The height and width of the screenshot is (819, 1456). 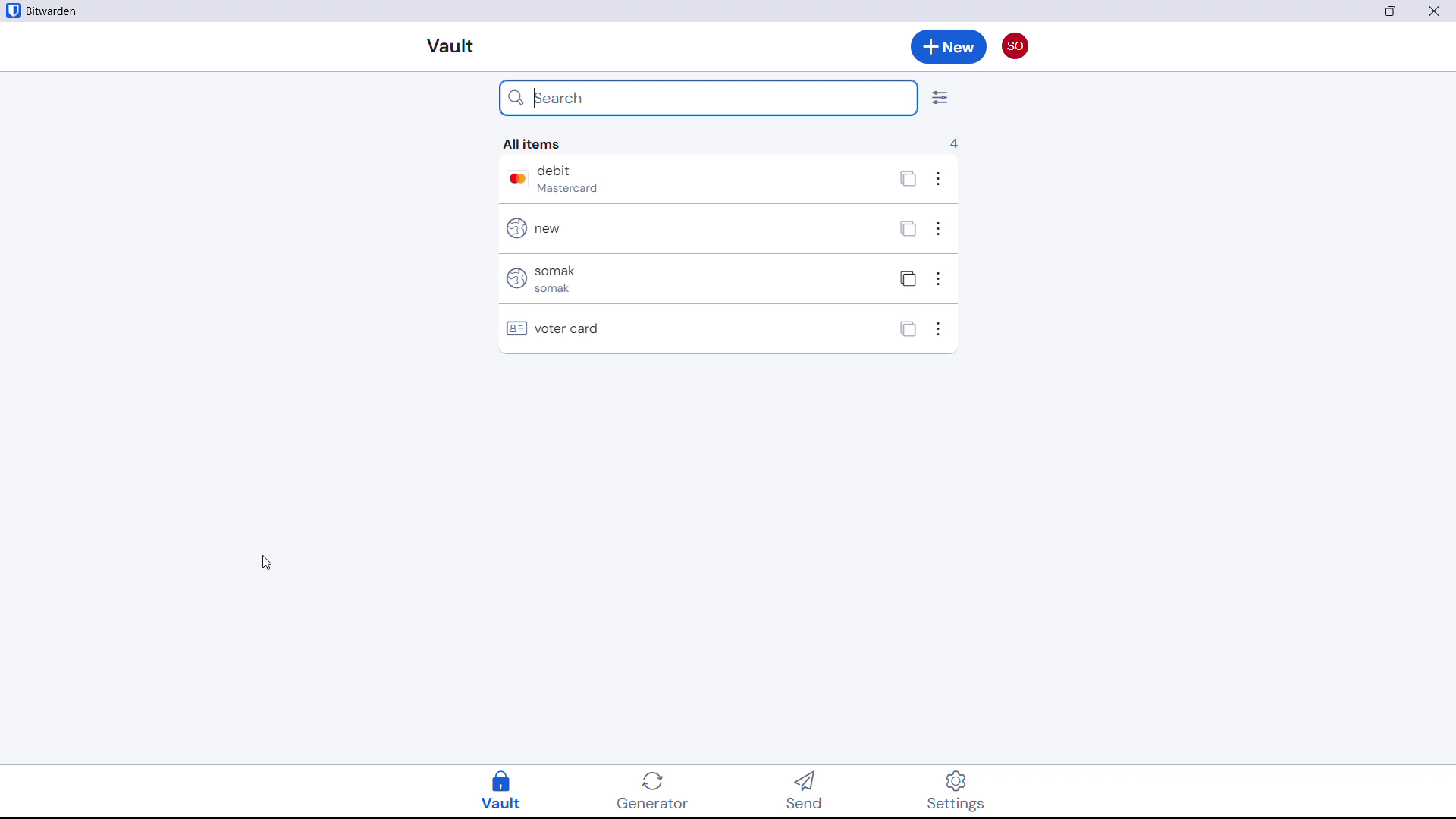 What do you see at coordinates (13, 11) in the screenshot?
I see `logo` at bounding box center [13, 11].